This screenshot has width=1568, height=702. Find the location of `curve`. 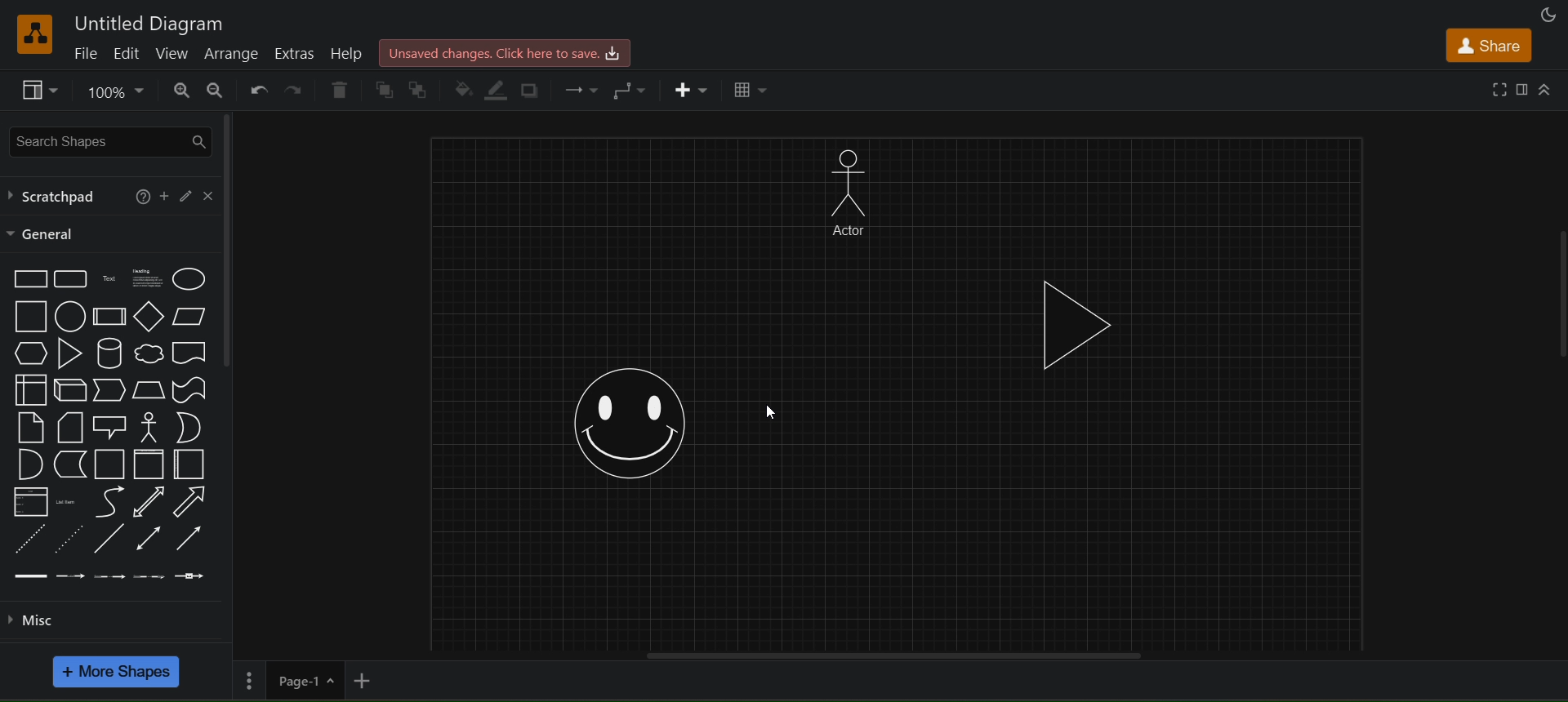

curve is located at coordinates (109, 501).